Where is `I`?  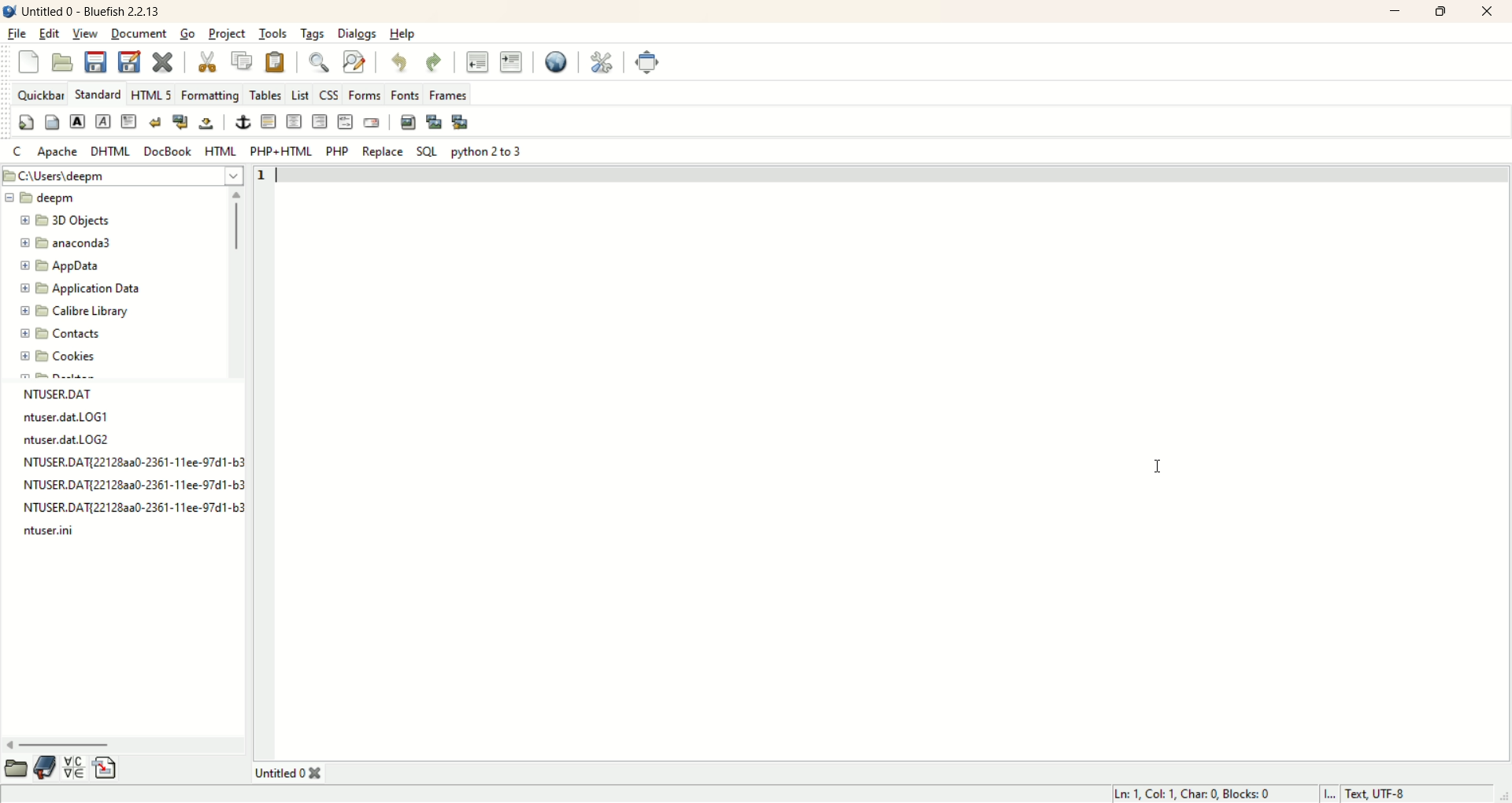 I is located at coordinates (1330, 794).